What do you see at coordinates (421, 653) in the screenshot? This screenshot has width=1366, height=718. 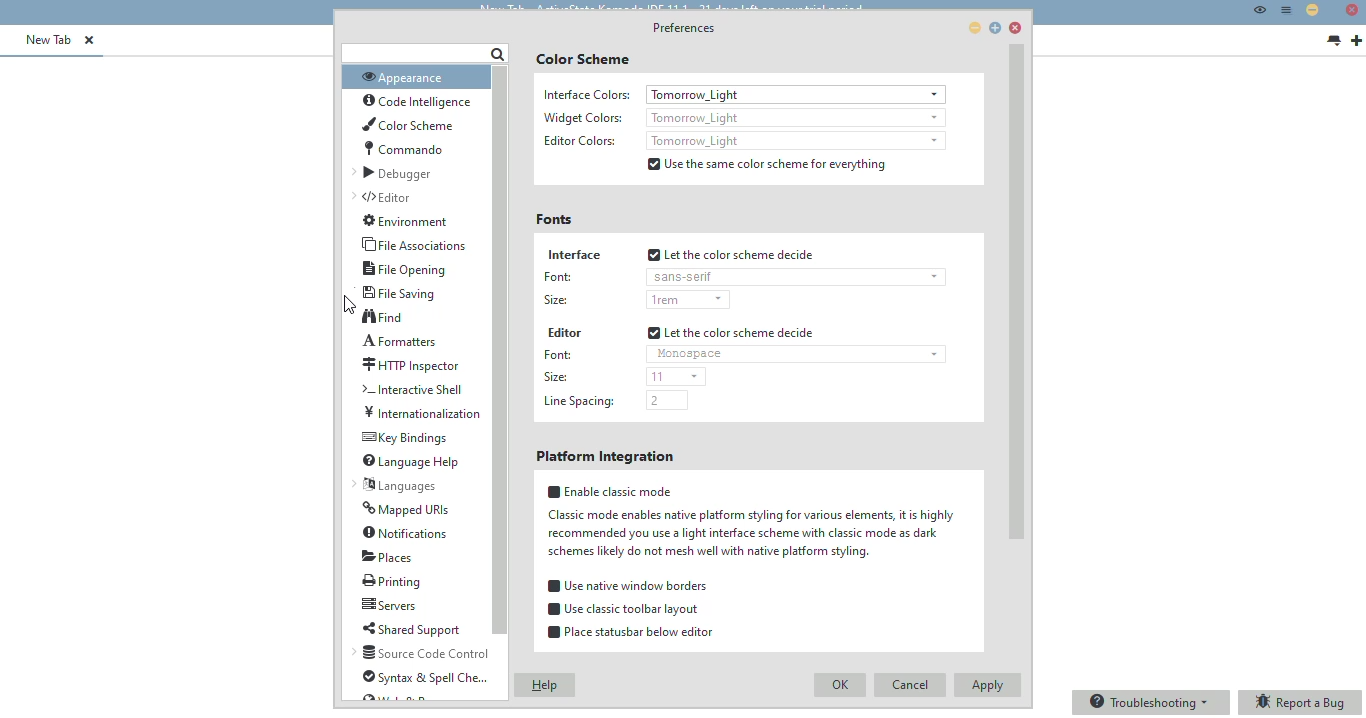 I see `source code control` at bounding box center [421, 653].